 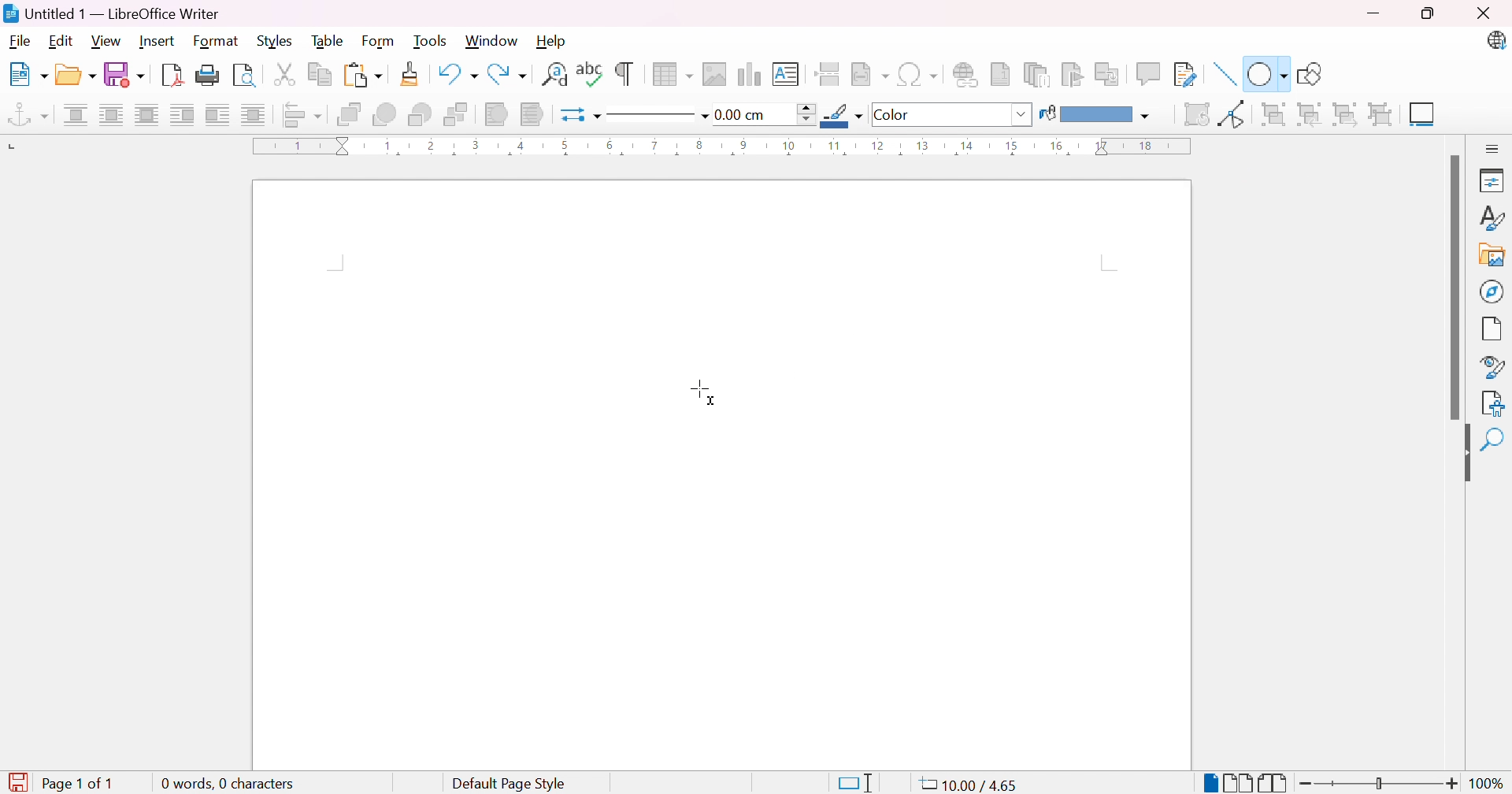 What do you see at coordinates (1491, 477) in the screenshot?
I see `Find` at bounding box center [1491, 477].